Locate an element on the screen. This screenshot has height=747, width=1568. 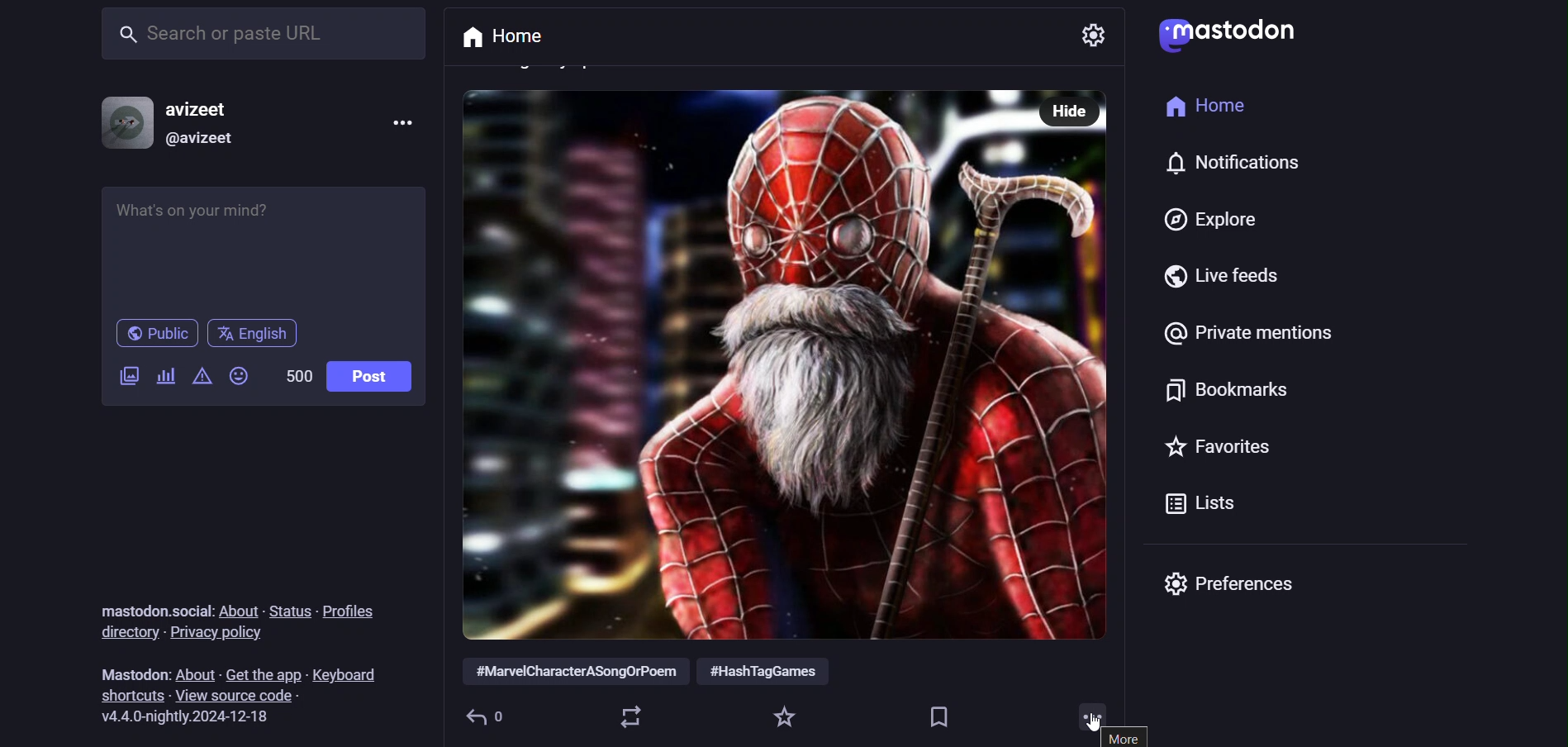
emojis is located at coordinates (240, 378).